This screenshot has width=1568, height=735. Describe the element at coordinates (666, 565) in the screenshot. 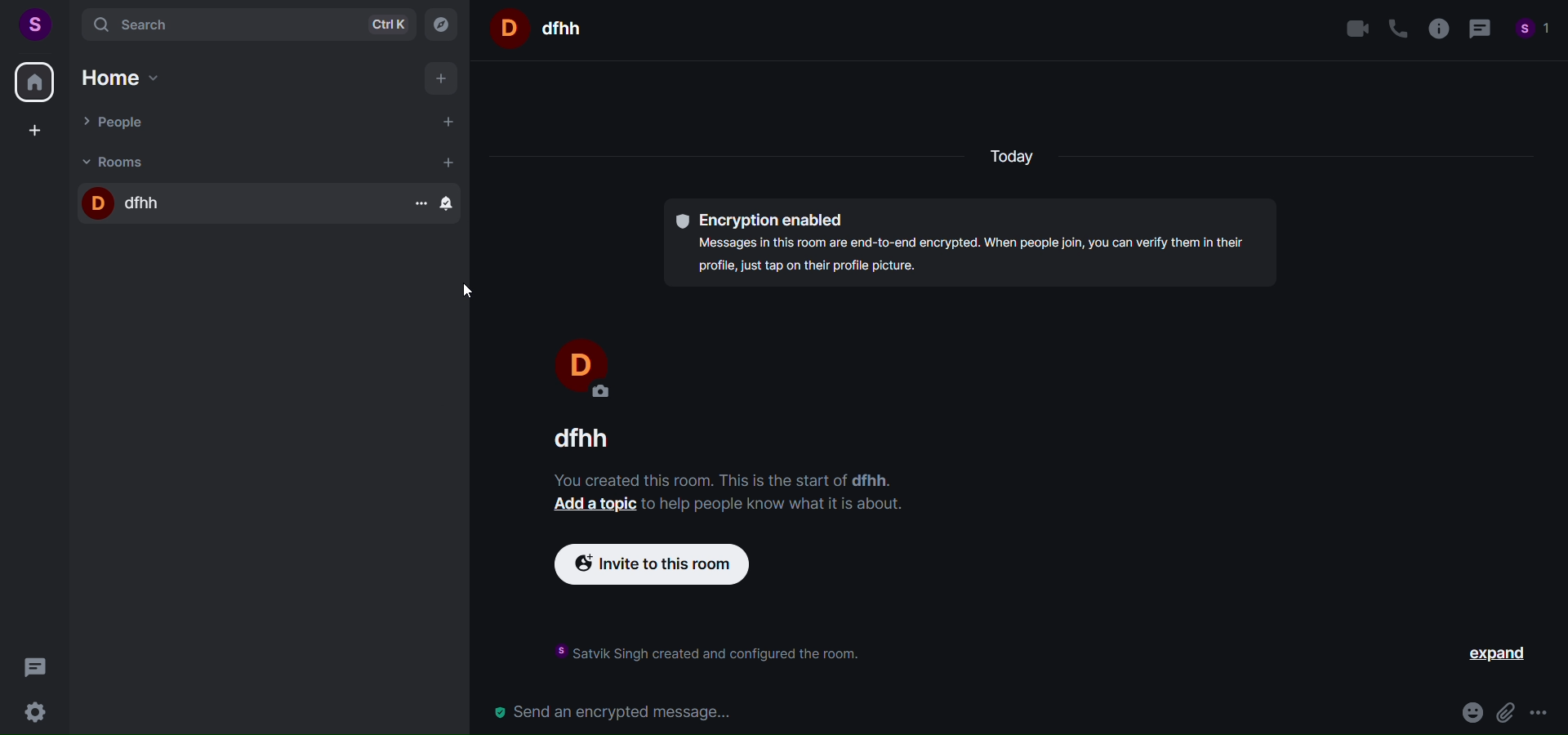

I see `invite to this room` at that location.